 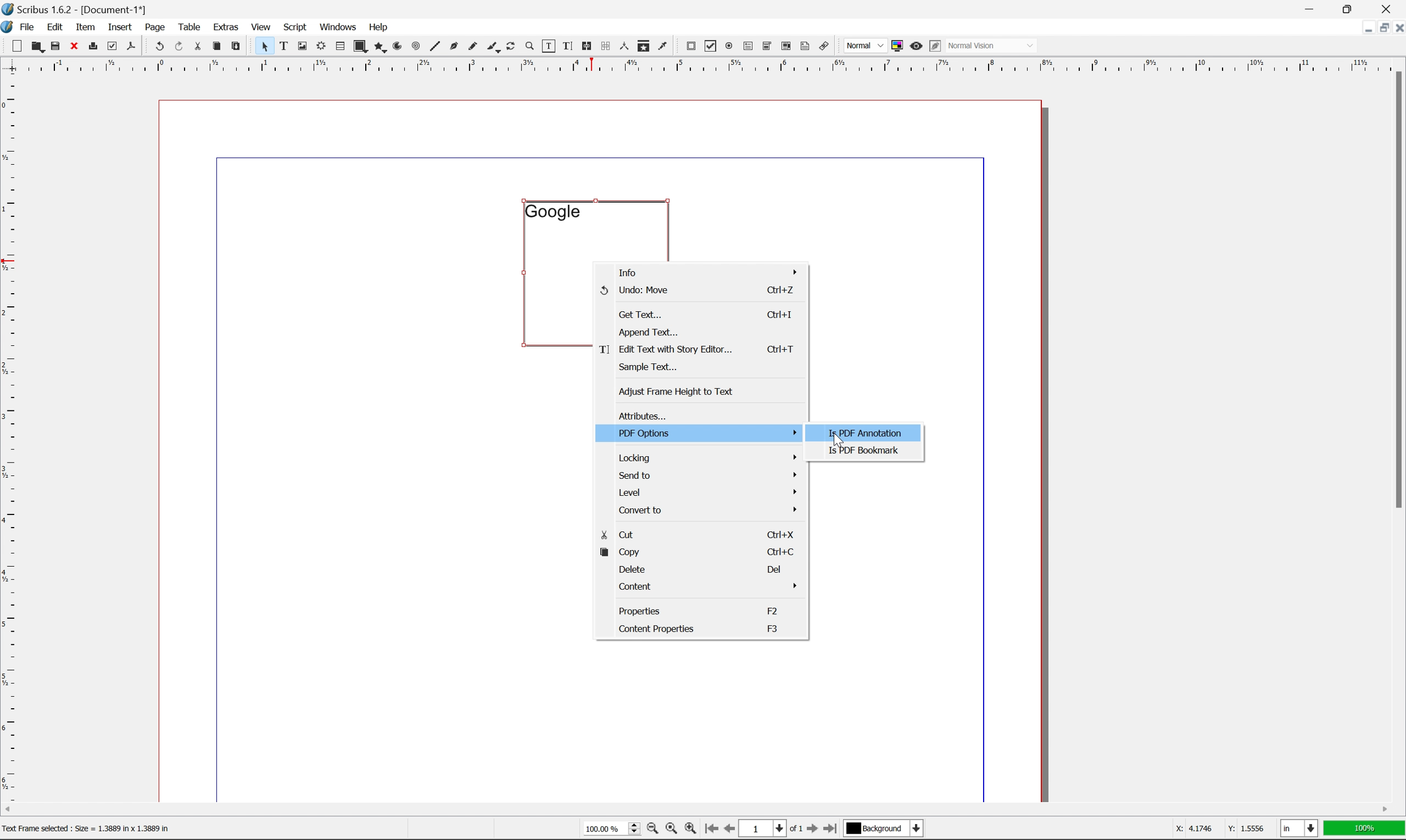 I want to click on pdf checkbox, so click(x=708, y=47).